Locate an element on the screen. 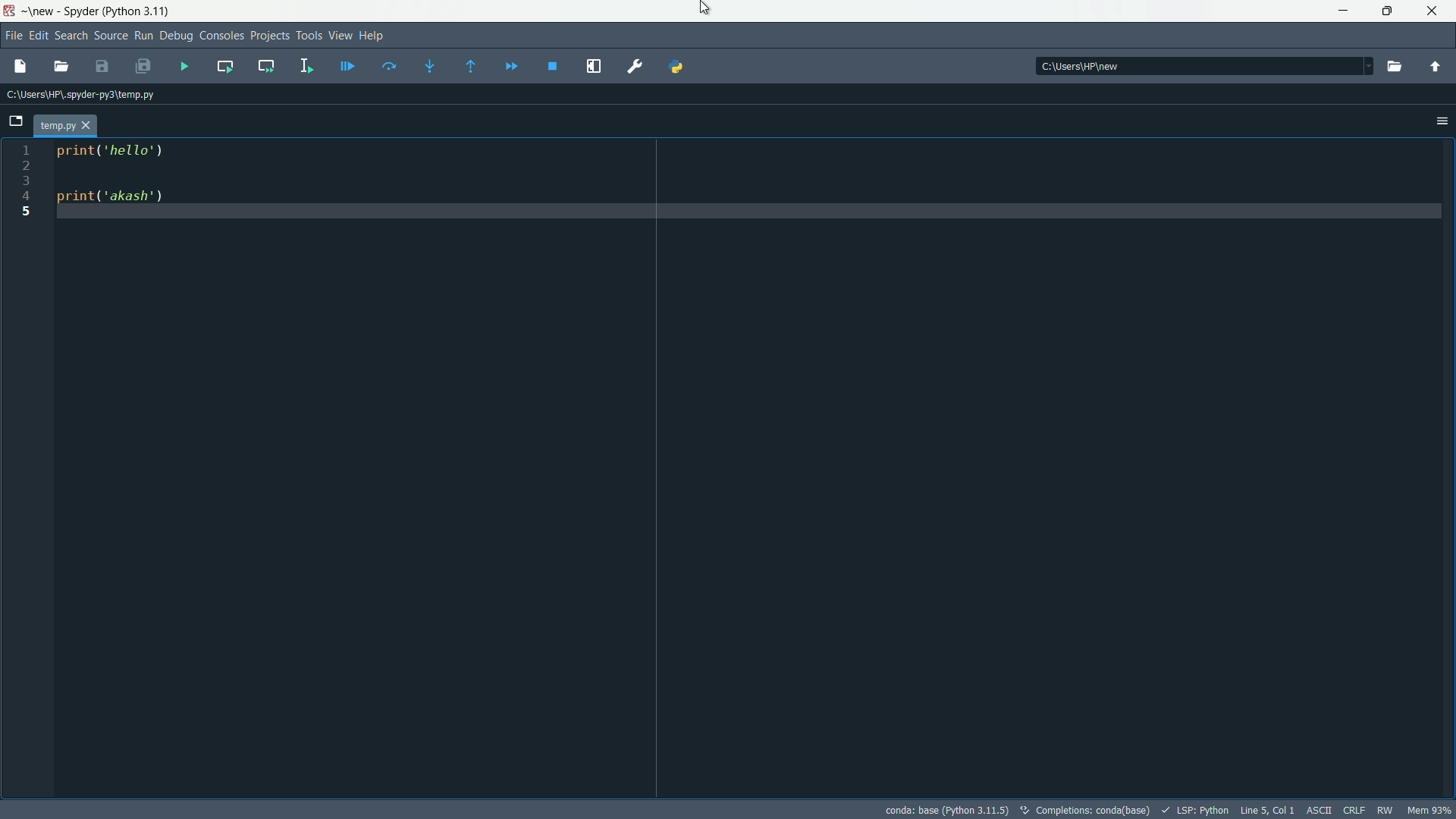 The image size is (1456, 819). continue execution until next breakdown is located at coordinates (511, 66).